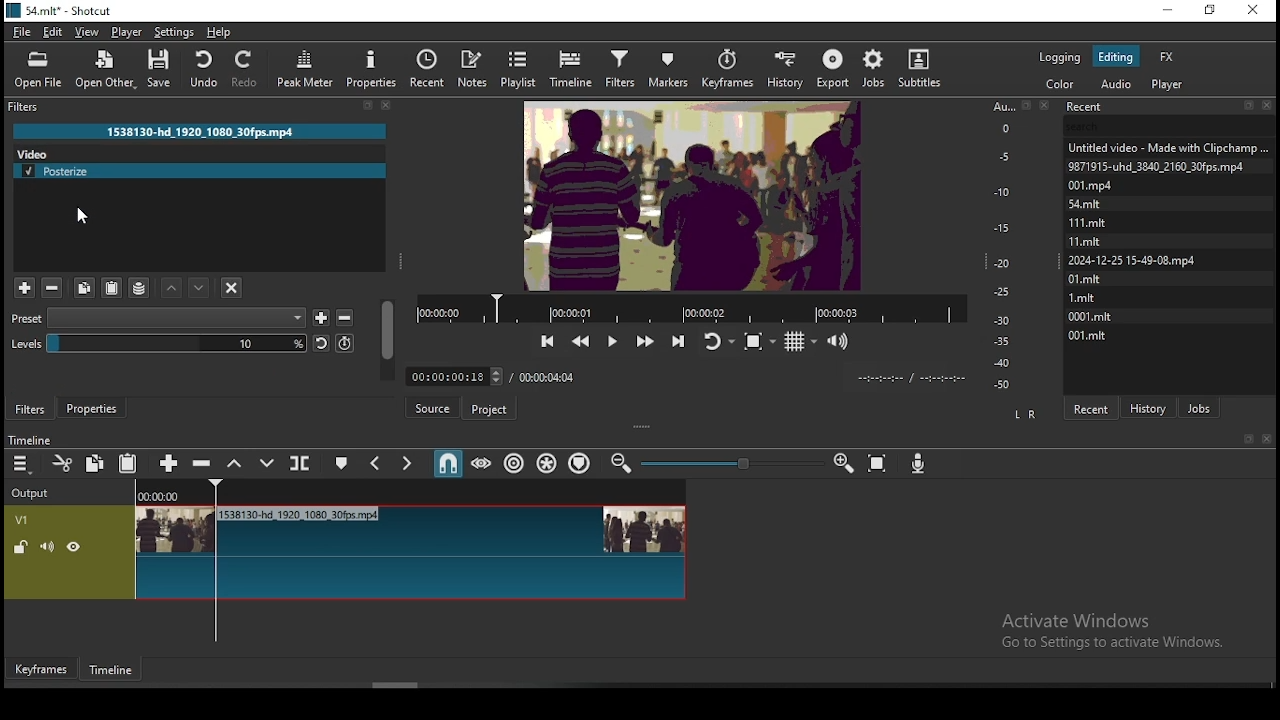 The image size is (1280, 720). What do you see at coordinates (759, 339) in the screenshot?
I see `toggle zoom` at bounding box center [759, 339].